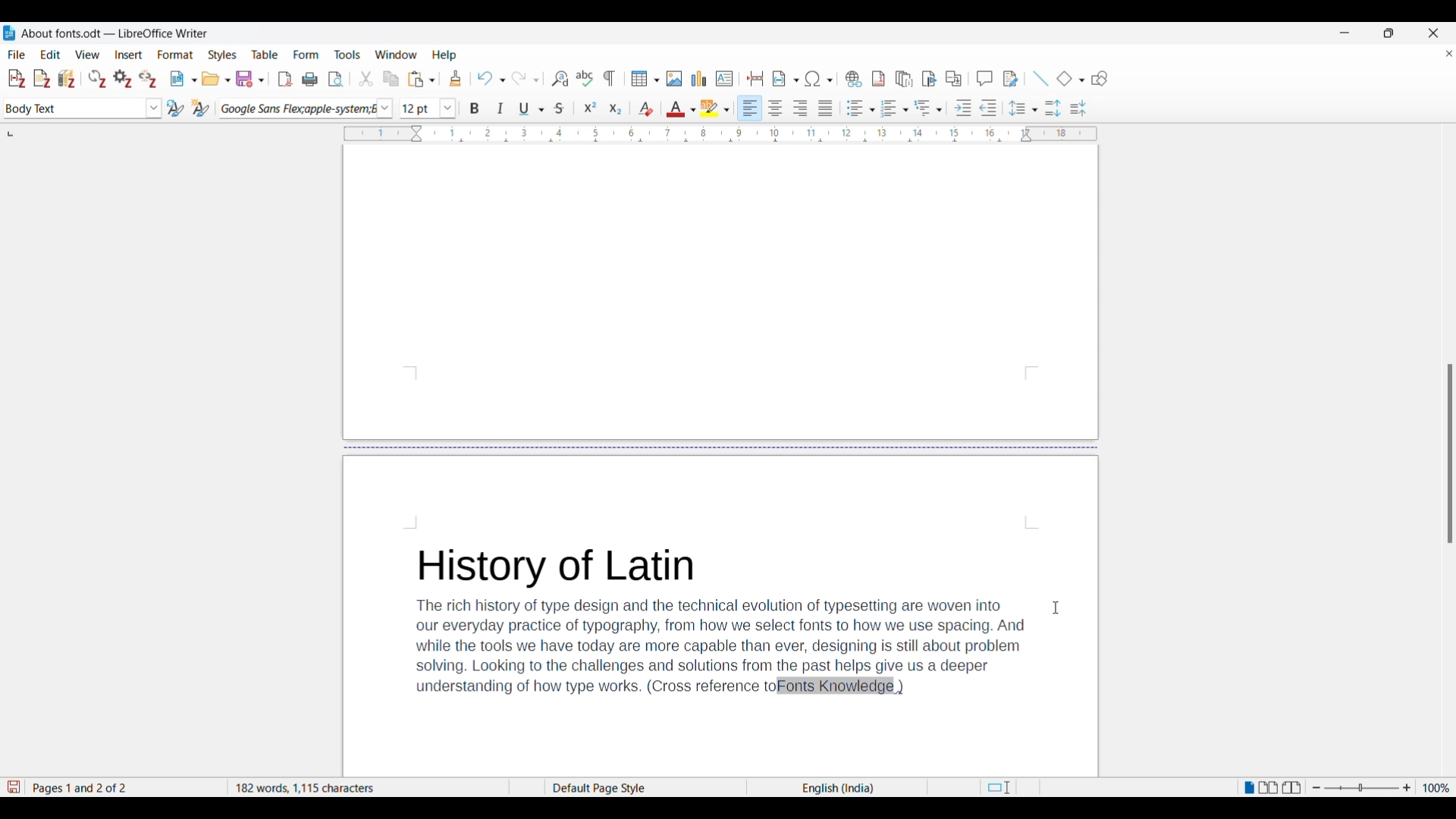 This screenshot has width=1456, height=819. I want to click on Cursor, so click(1056, 607).